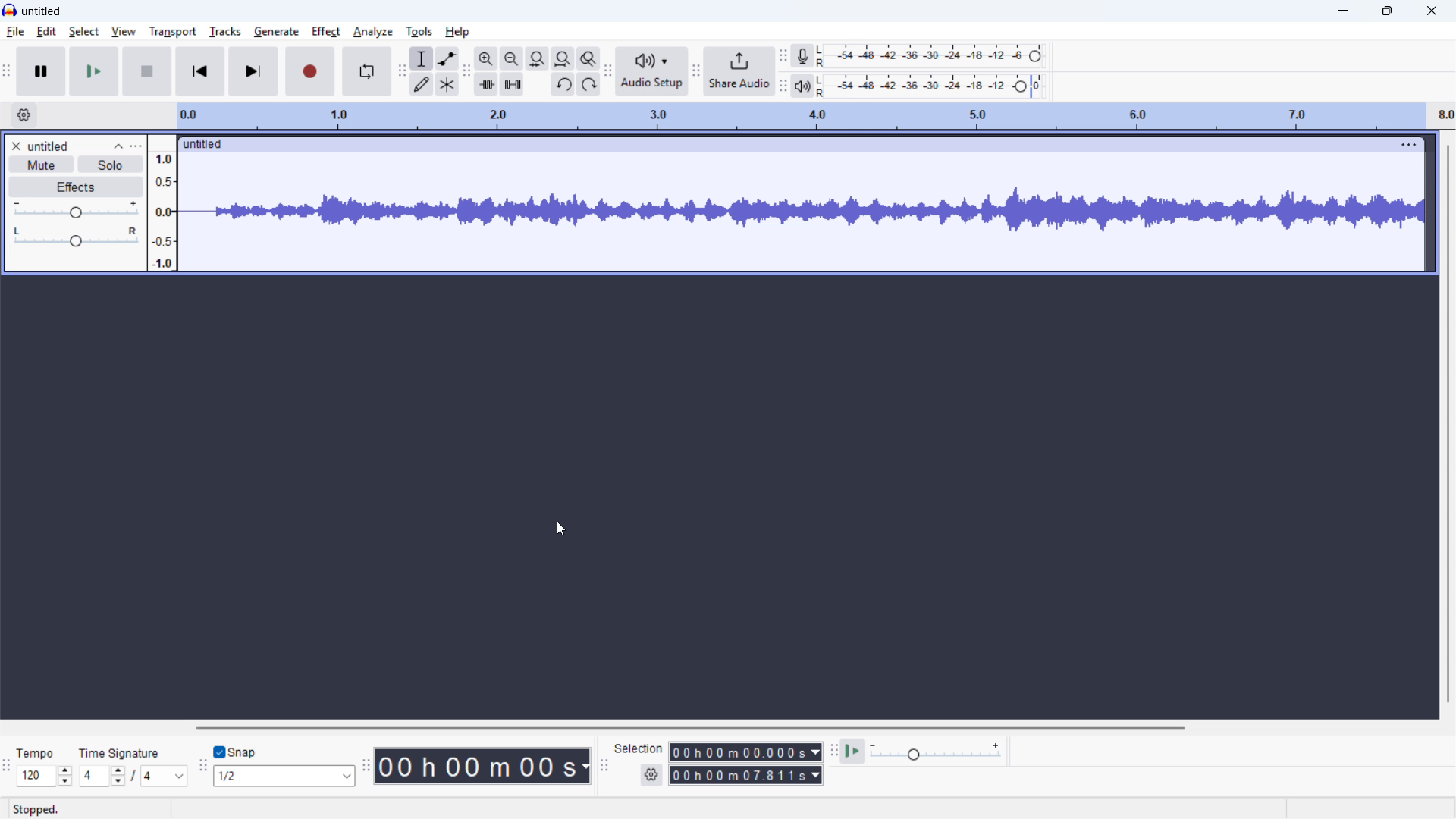 The image size is (1456, 819). What do you see at coordinates (695, 72) in the screenshot?
I see `Share audio toolbar ` at bounding box center [695, 72].